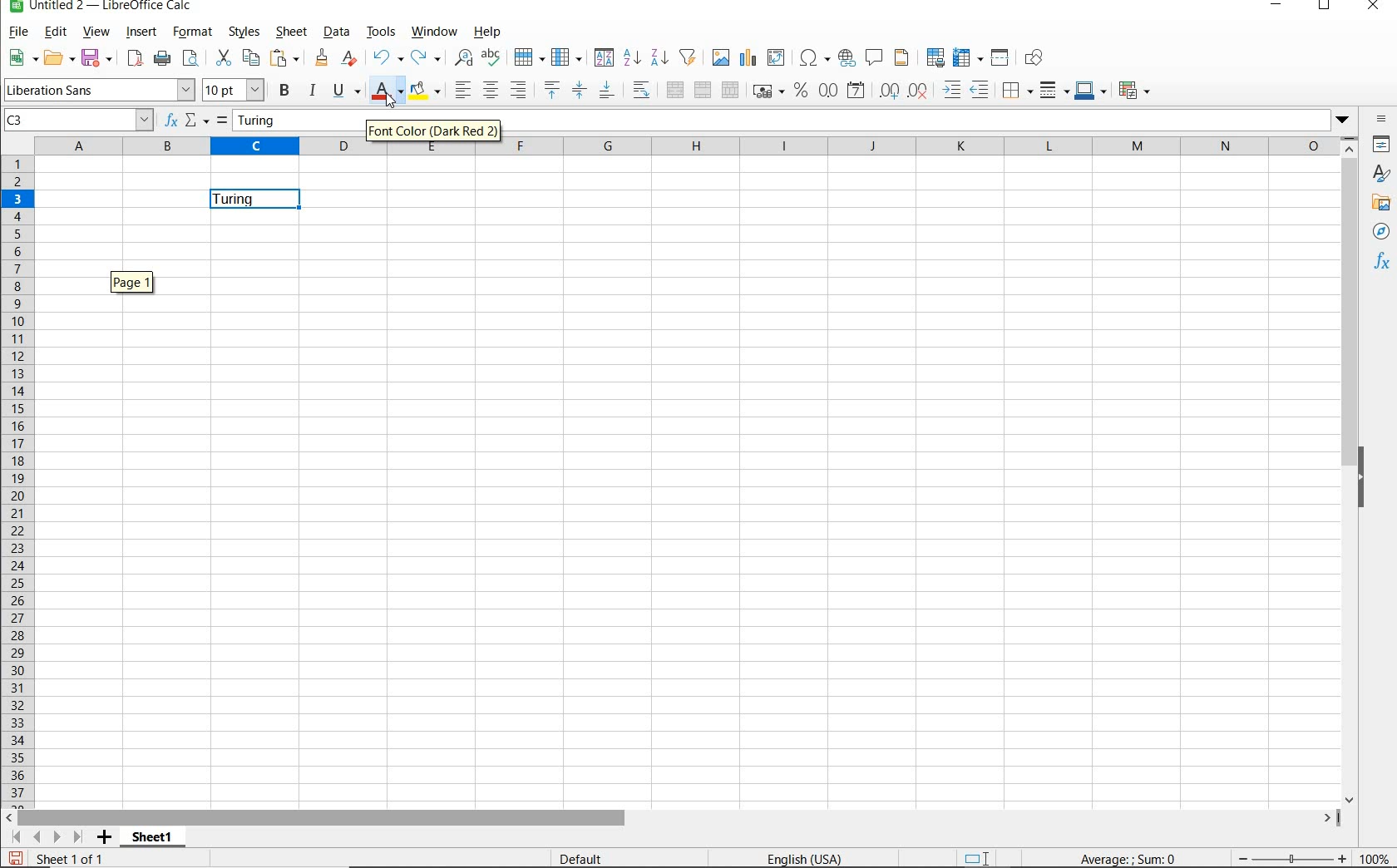  Describe the element at coordinates (822, 859) in the screenshot. I see `TEXT LANGUAGE` at that location.